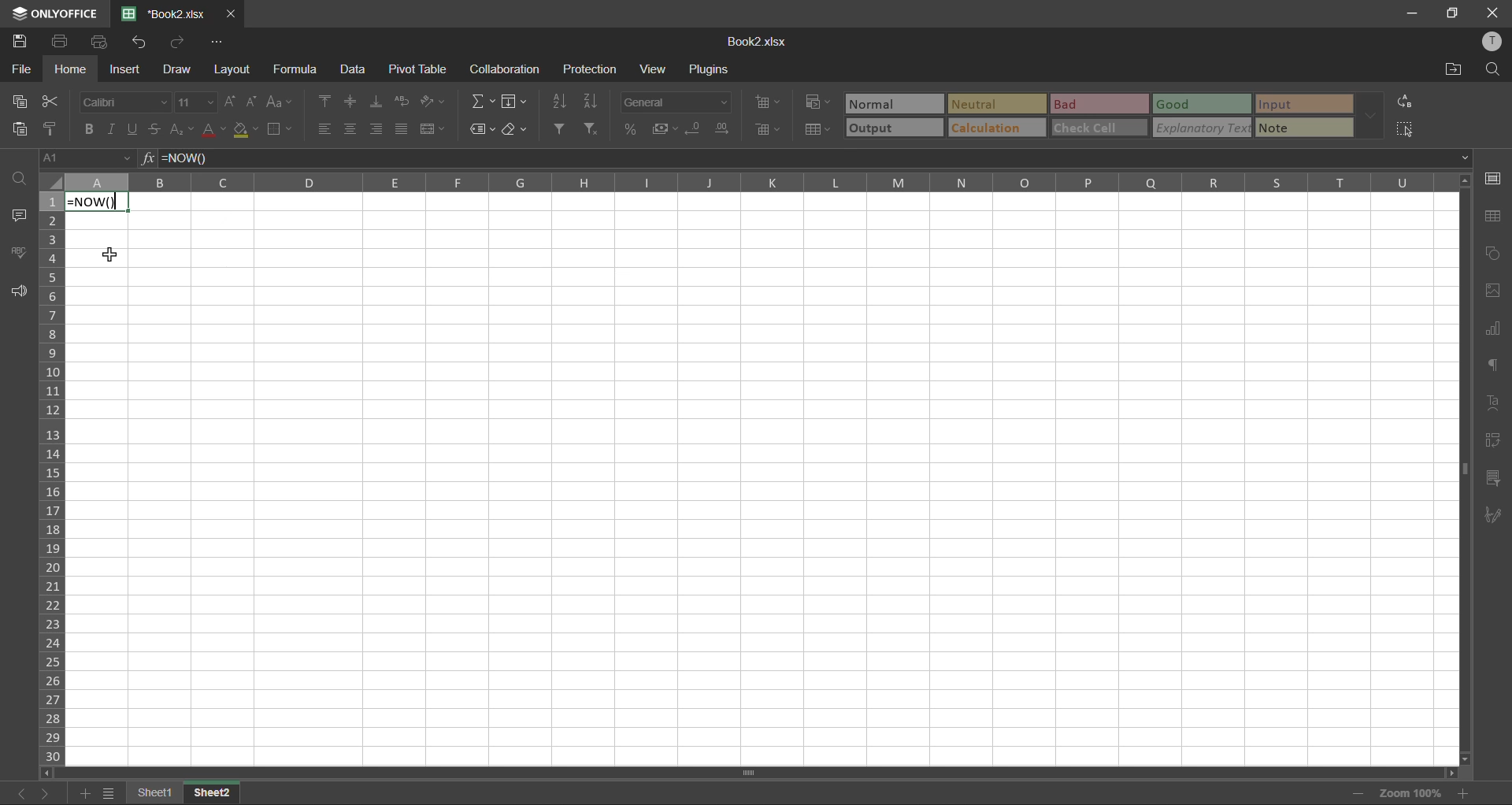 The image size is (1512, 805). What do you see at coordinates (1368, 116) in the screenshot?
I see `more options` at bounding box center [1368, 116].